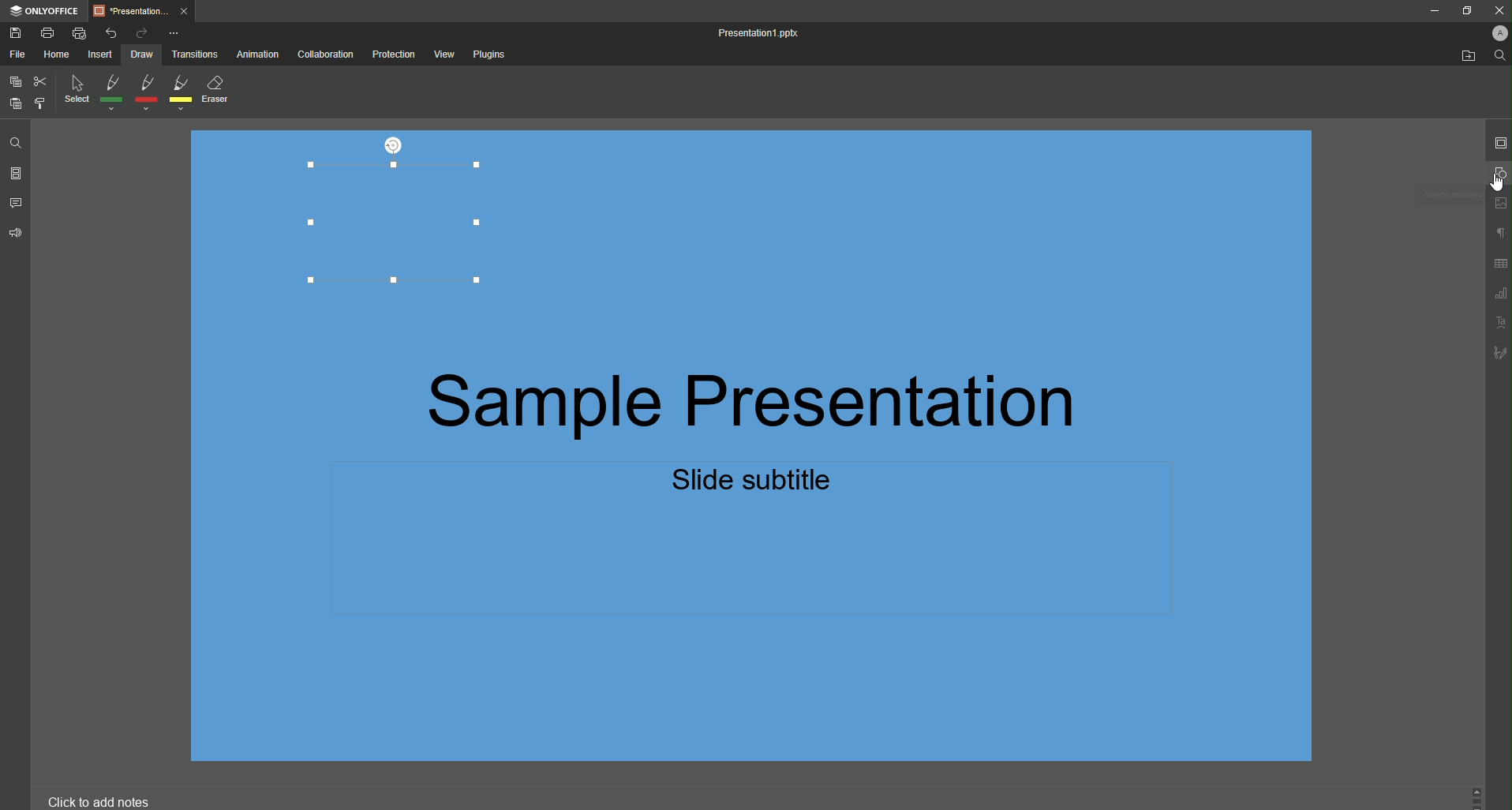 The width and height of the screenshot is (1512, 810). What do you see at coordinates (1465, 12) in the screenshot?
I see `Restore` at bounding box center [1465, 12].